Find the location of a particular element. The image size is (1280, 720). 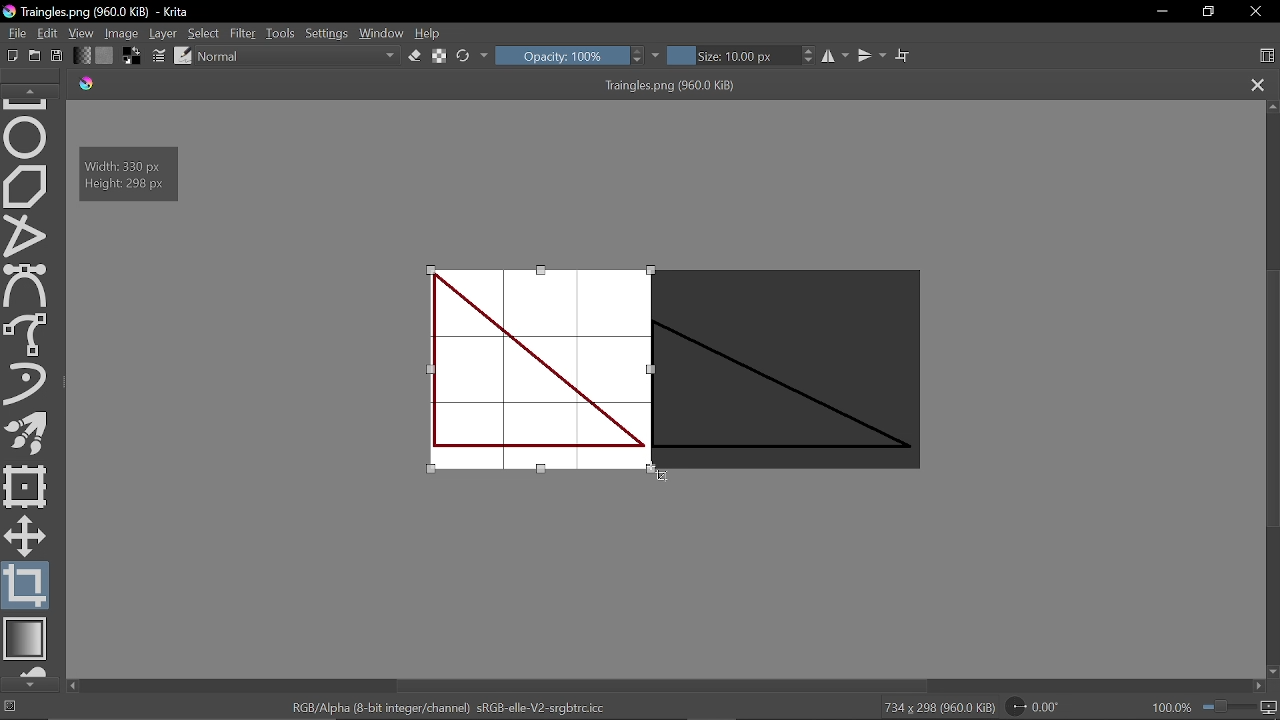

Scroll bar is located at coordinates (1271, 401).